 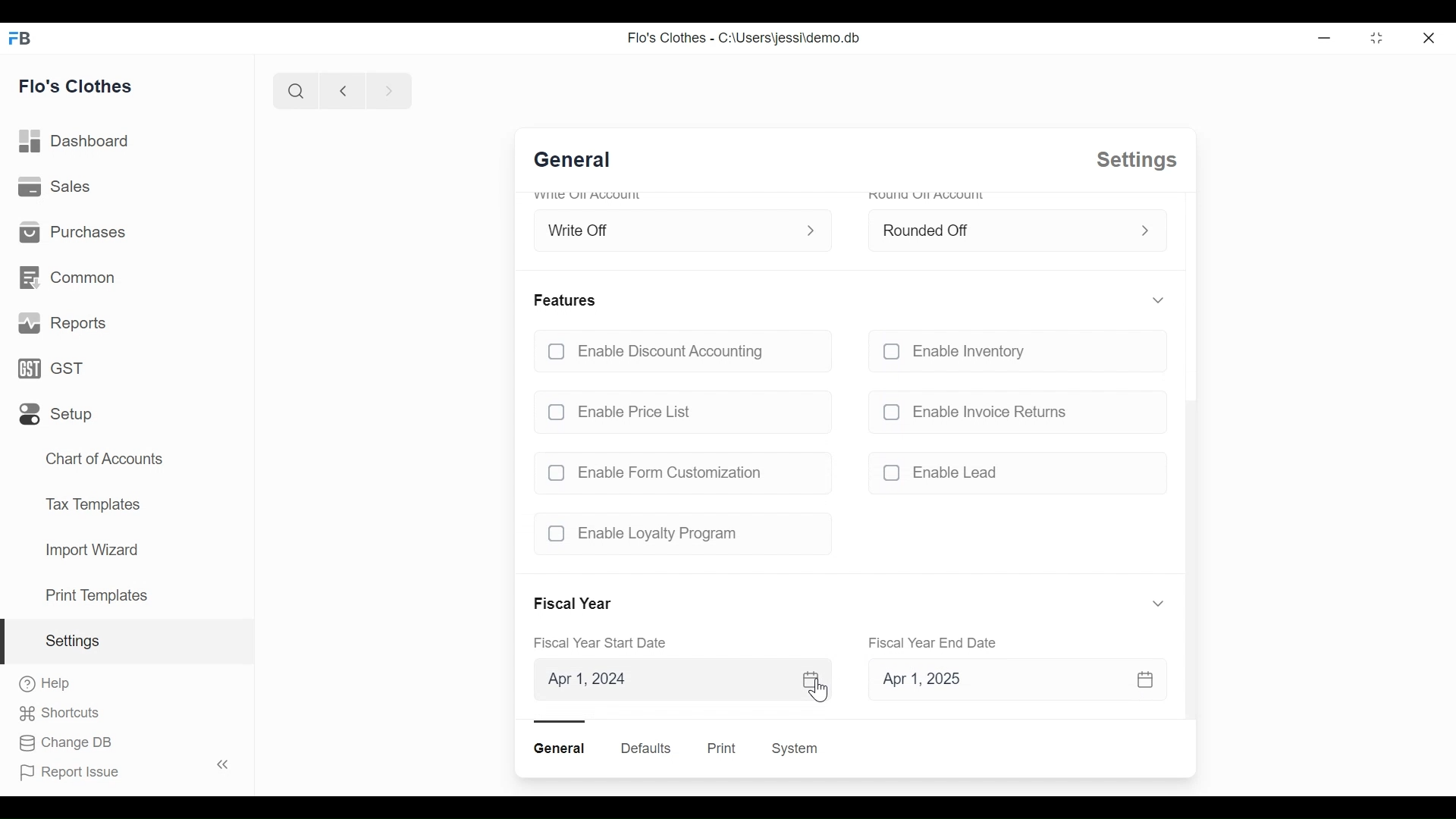 I want to click on unchecked Enable Invoice Returns, so click(x=1012, y=411).